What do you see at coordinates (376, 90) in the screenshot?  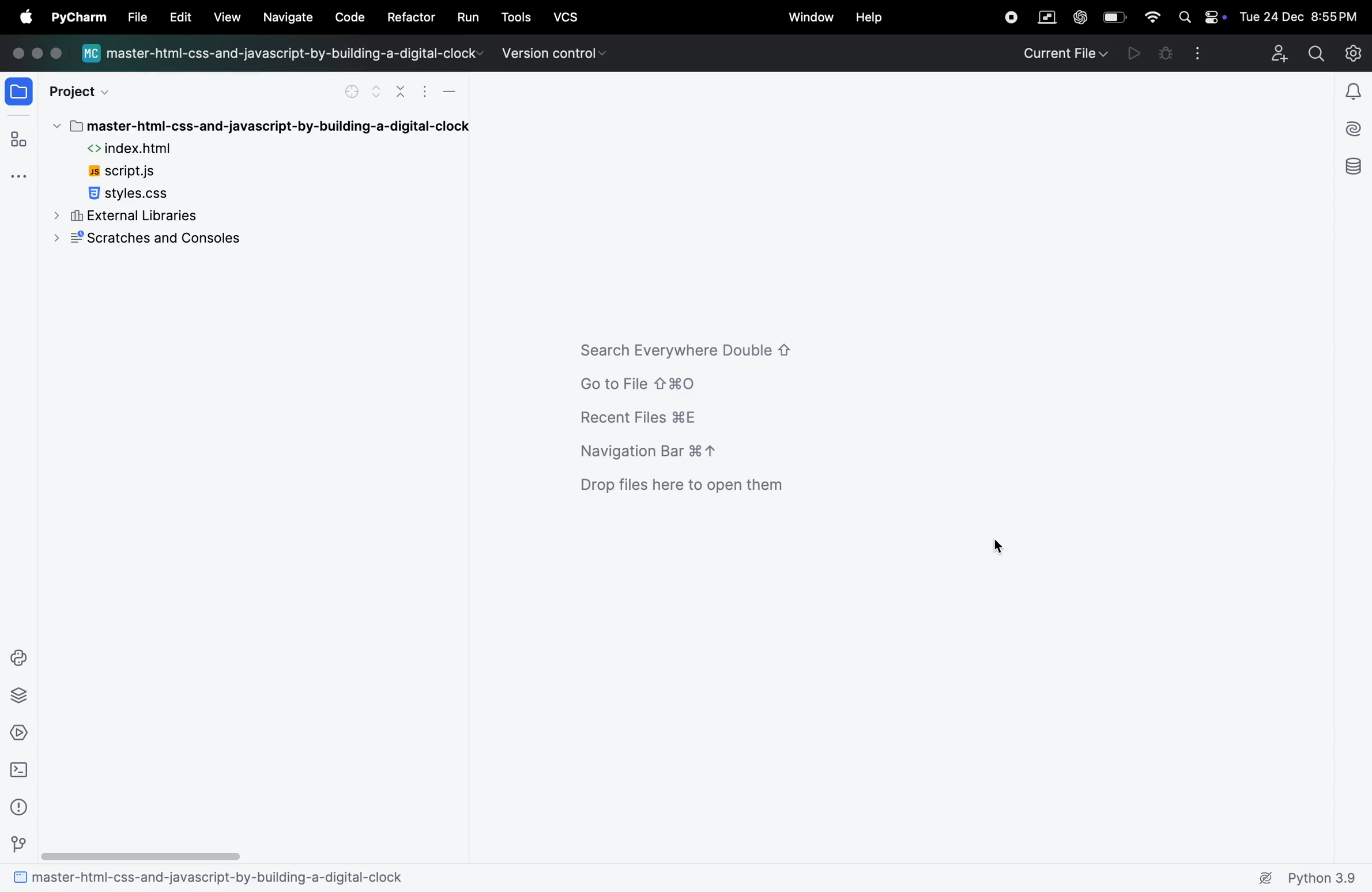 I see `expand selected` at bounding box center [376, 90].